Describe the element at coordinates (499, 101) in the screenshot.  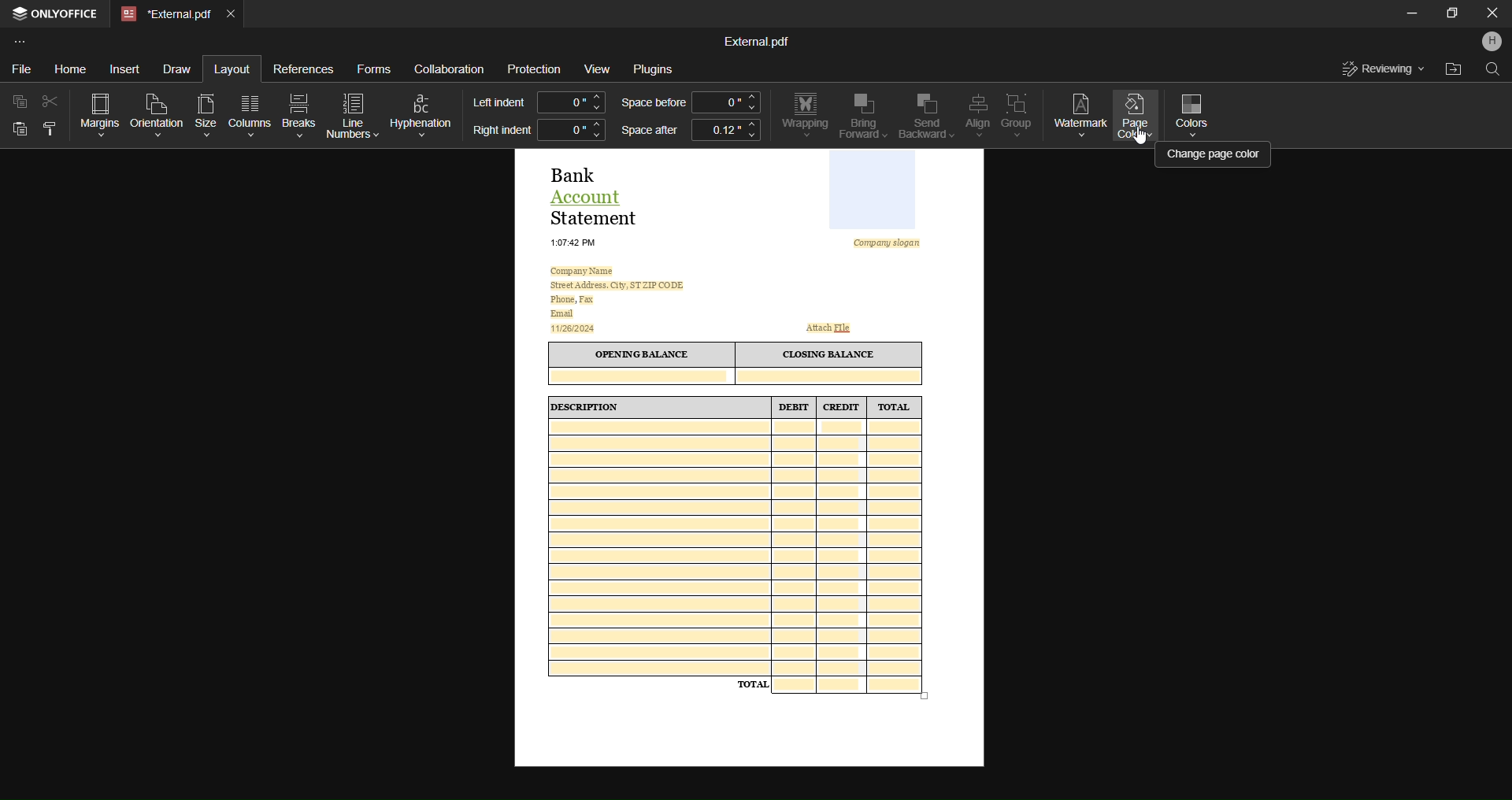
I see `Left Indent` at that location.